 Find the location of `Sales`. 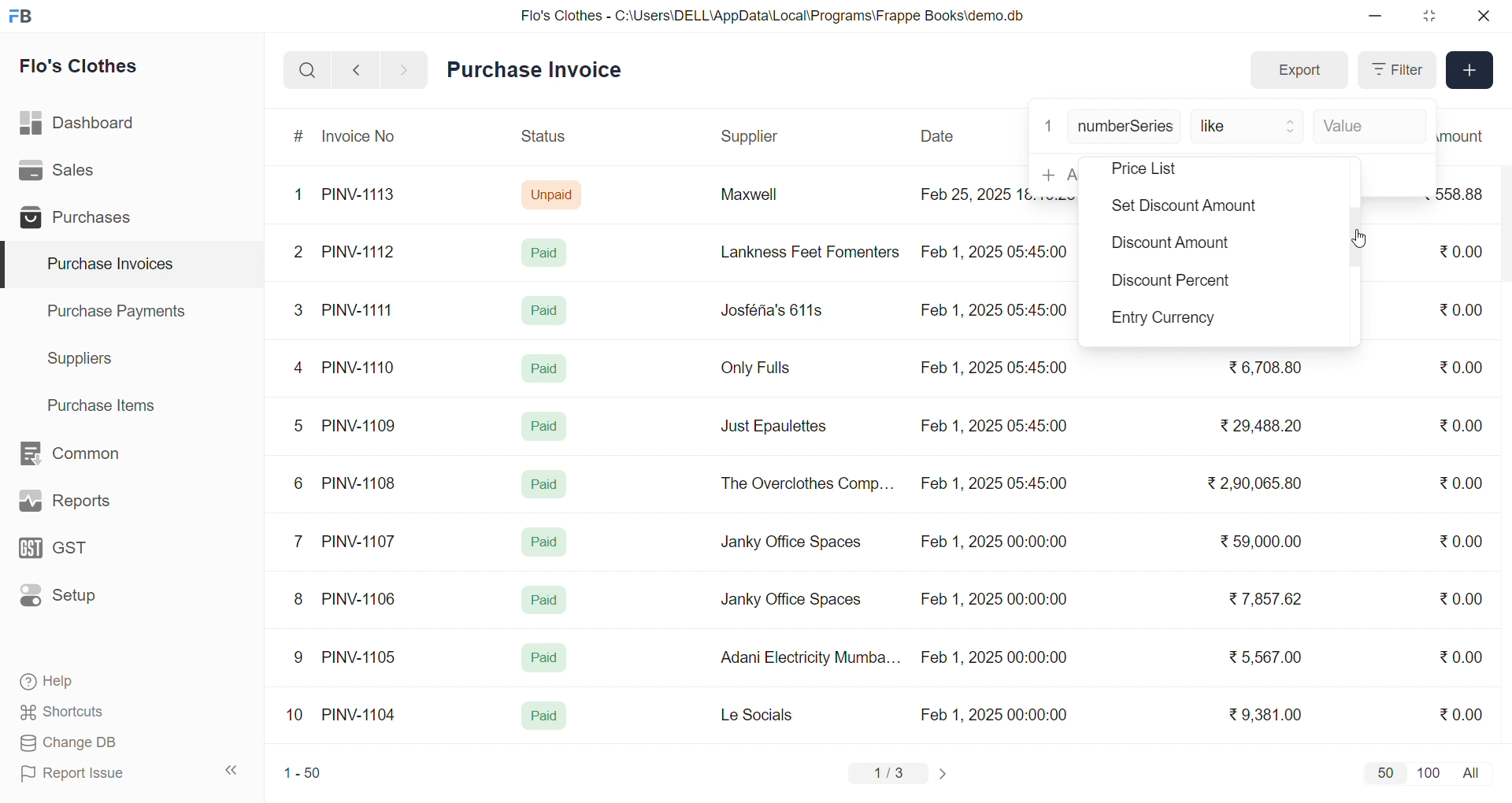

Sales is located at coordinates (81, 173).